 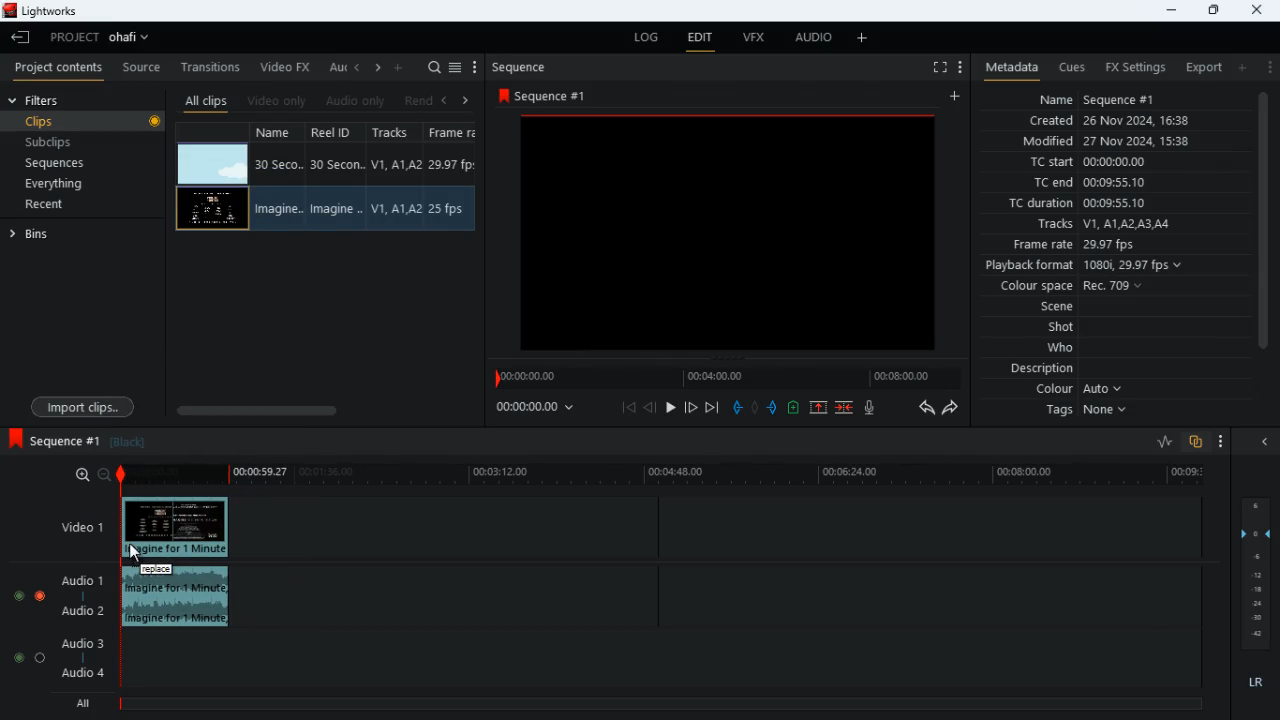 I want to click on layers, so click(x=1254, y=573).